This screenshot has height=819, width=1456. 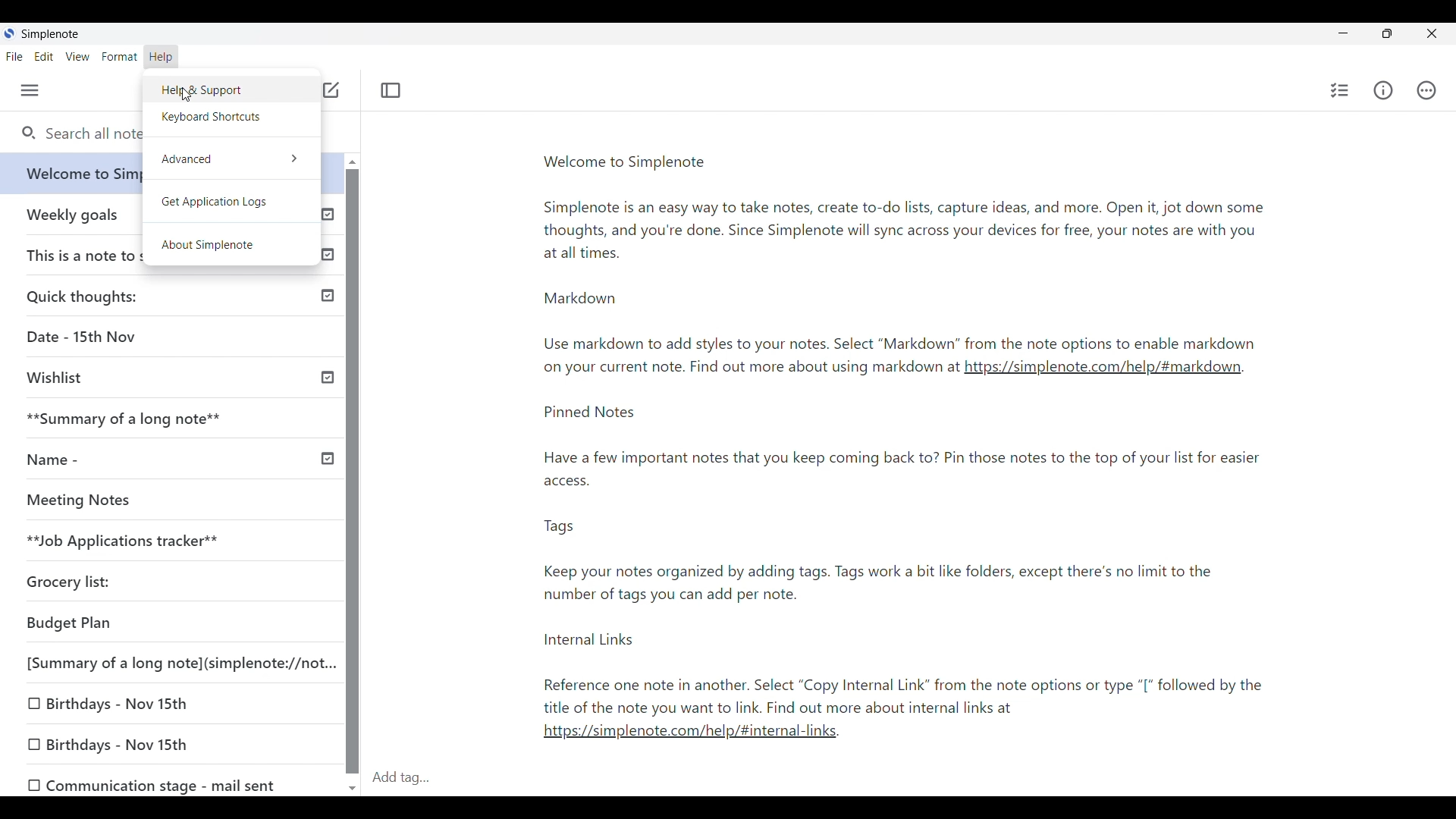 What do you see at coordinates (44, 56) in the screenshot?
I see `Edit menu` at bounding box center [44, 56].